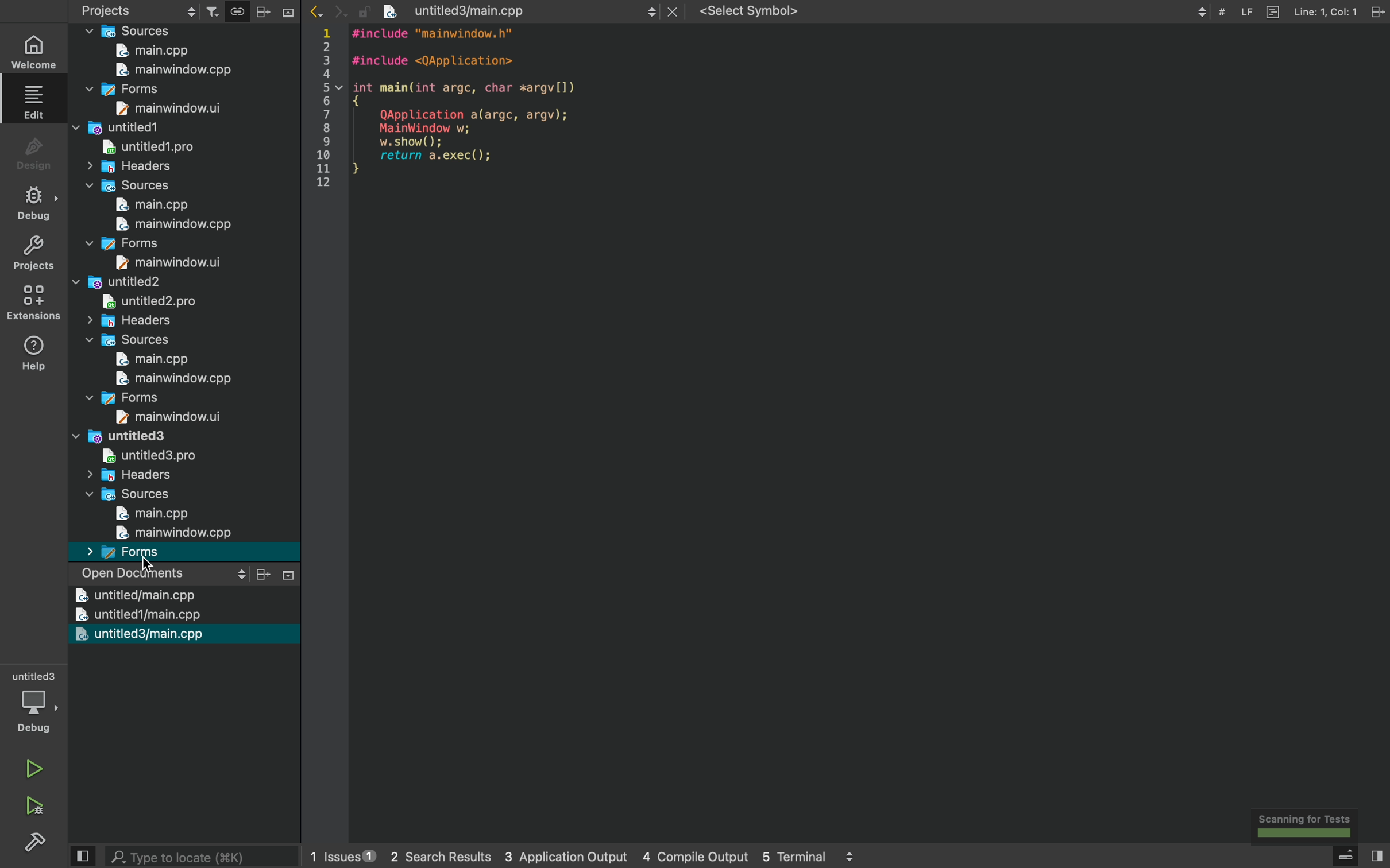 This screenshot has height=868, width=1390. Describe the element at coordinates (1308, 826) in the screenshot. I see `scanning for test` at that location.